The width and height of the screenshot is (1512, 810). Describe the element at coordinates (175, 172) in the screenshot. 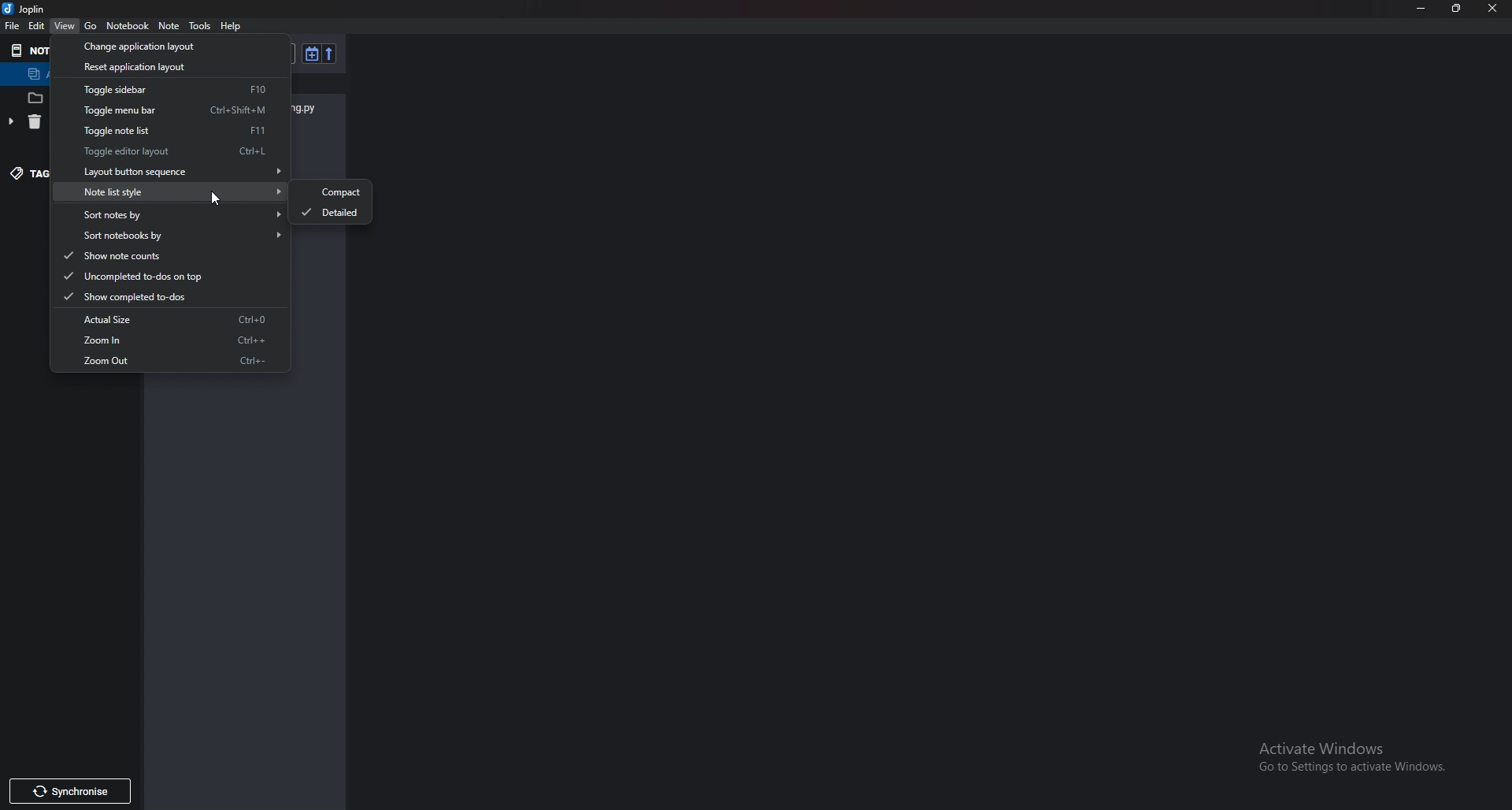

I see `Layout button sequence` at that location.